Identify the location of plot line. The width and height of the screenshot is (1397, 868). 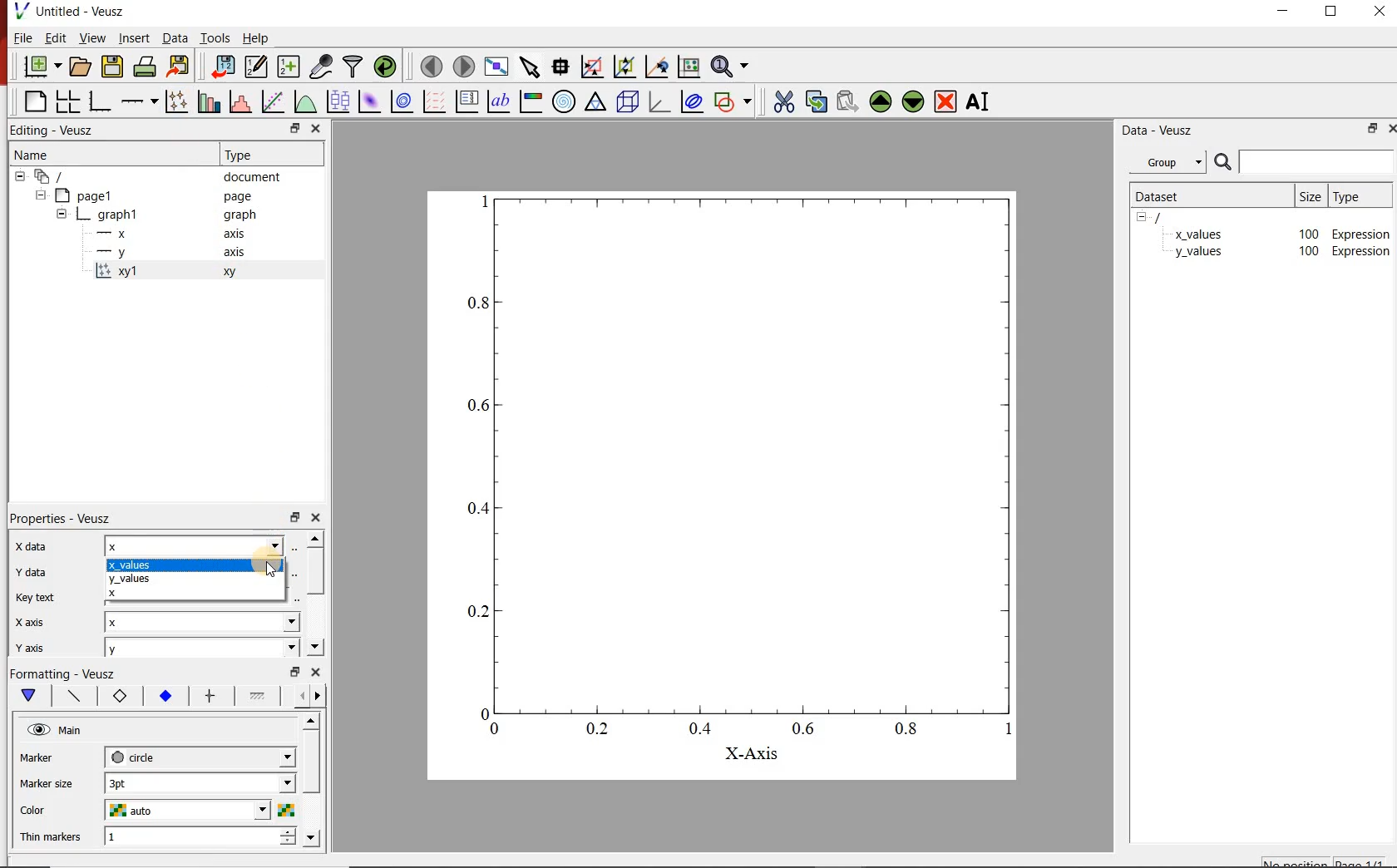
(77, 696).